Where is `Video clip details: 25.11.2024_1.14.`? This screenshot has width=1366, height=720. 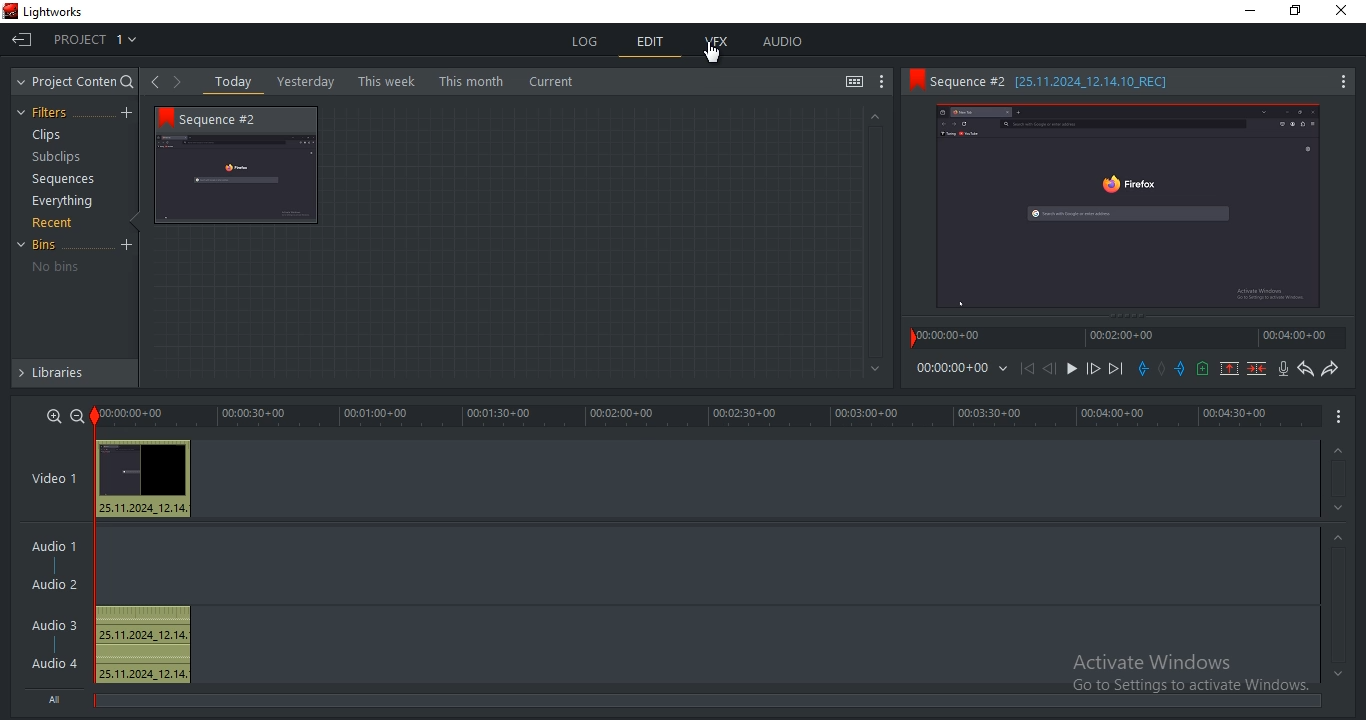 Video clip details: 25.11.2024_1.14. is located at coordinates (141, 508).